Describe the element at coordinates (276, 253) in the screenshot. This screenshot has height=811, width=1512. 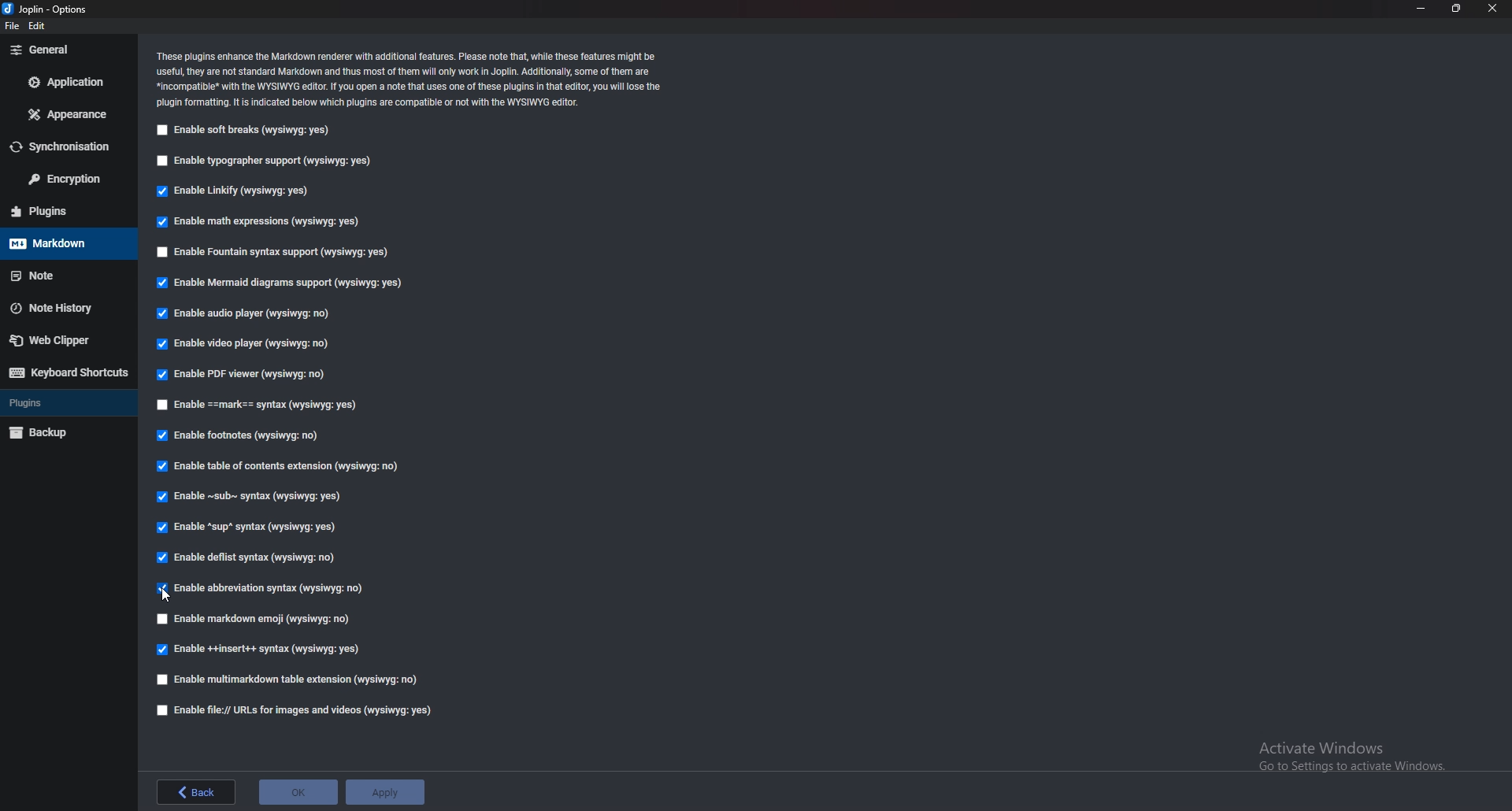
I see `enable Fountain syntax support` at that location.